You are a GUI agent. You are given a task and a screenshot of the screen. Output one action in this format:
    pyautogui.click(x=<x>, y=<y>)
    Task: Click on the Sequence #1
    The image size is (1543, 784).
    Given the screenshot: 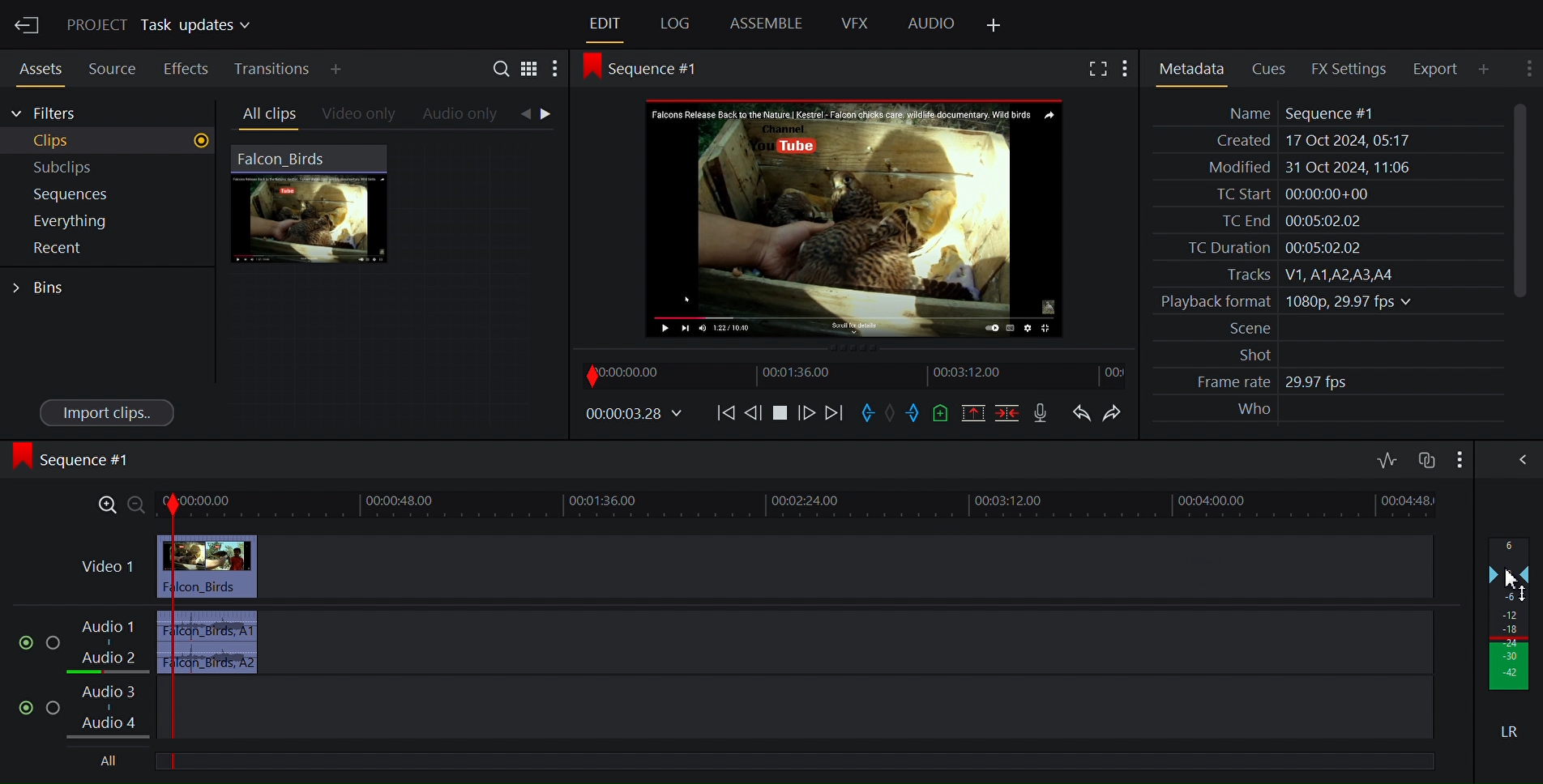 What is the action you would take?
    pyautogui.click(x=75, y=462)
    